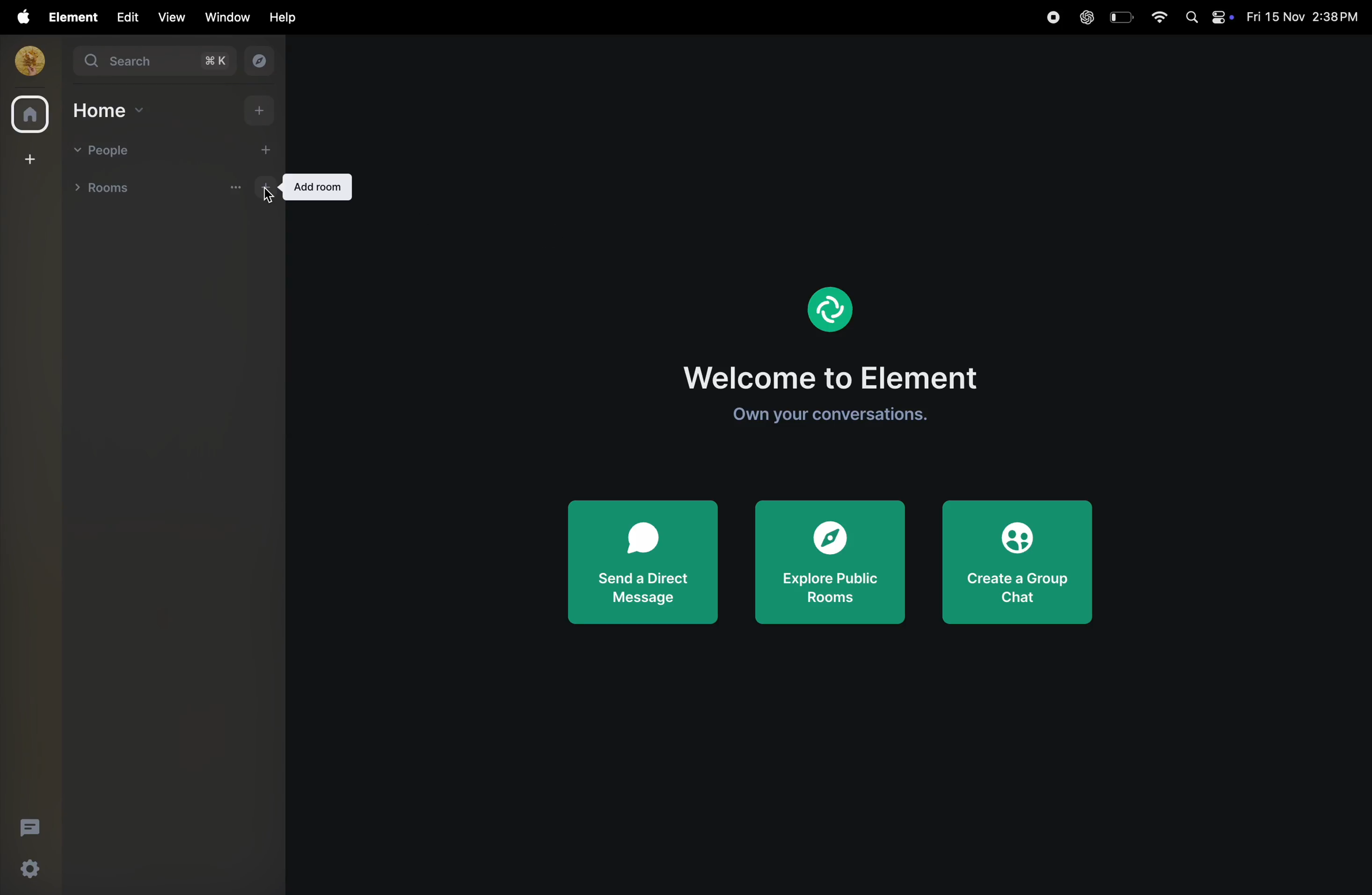 The image size is (1372, 895). Describe the element at coordinates (266, 189) in the screenshot. I see `add room` at that location.